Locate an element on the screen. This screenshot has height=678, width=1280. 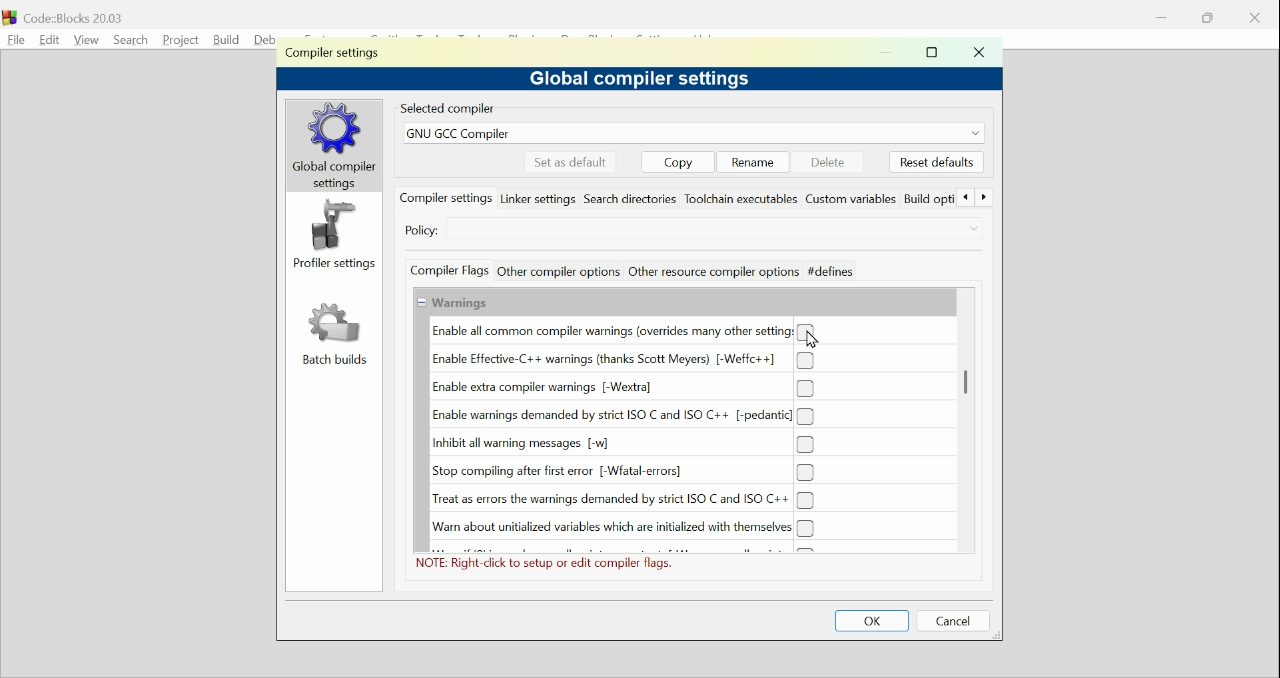
(un)check Enable Effective C++ is located at coordinates (622, 360).